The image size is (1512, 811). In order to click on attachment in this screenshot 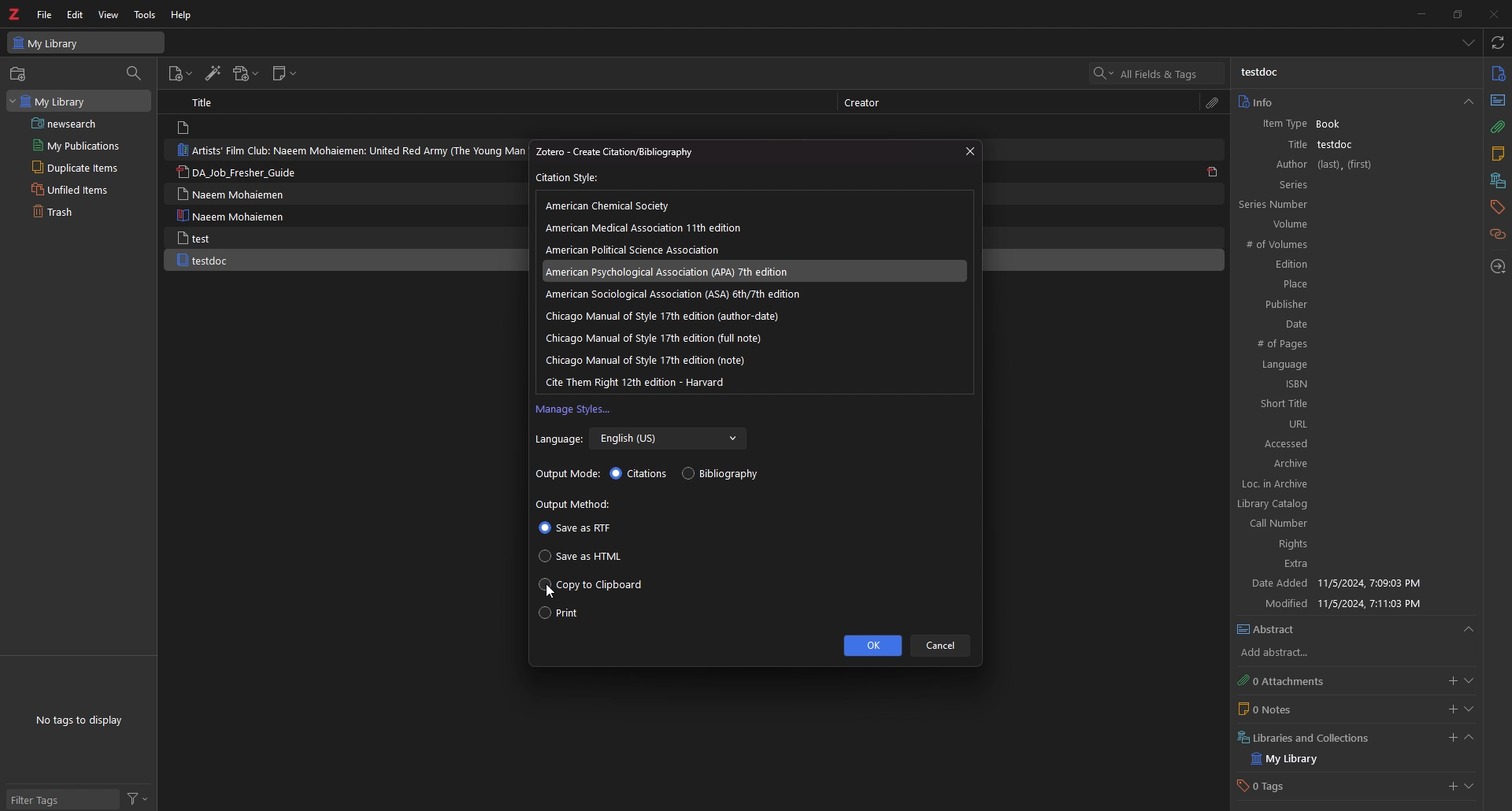, I will do `click(1213, 103)`.